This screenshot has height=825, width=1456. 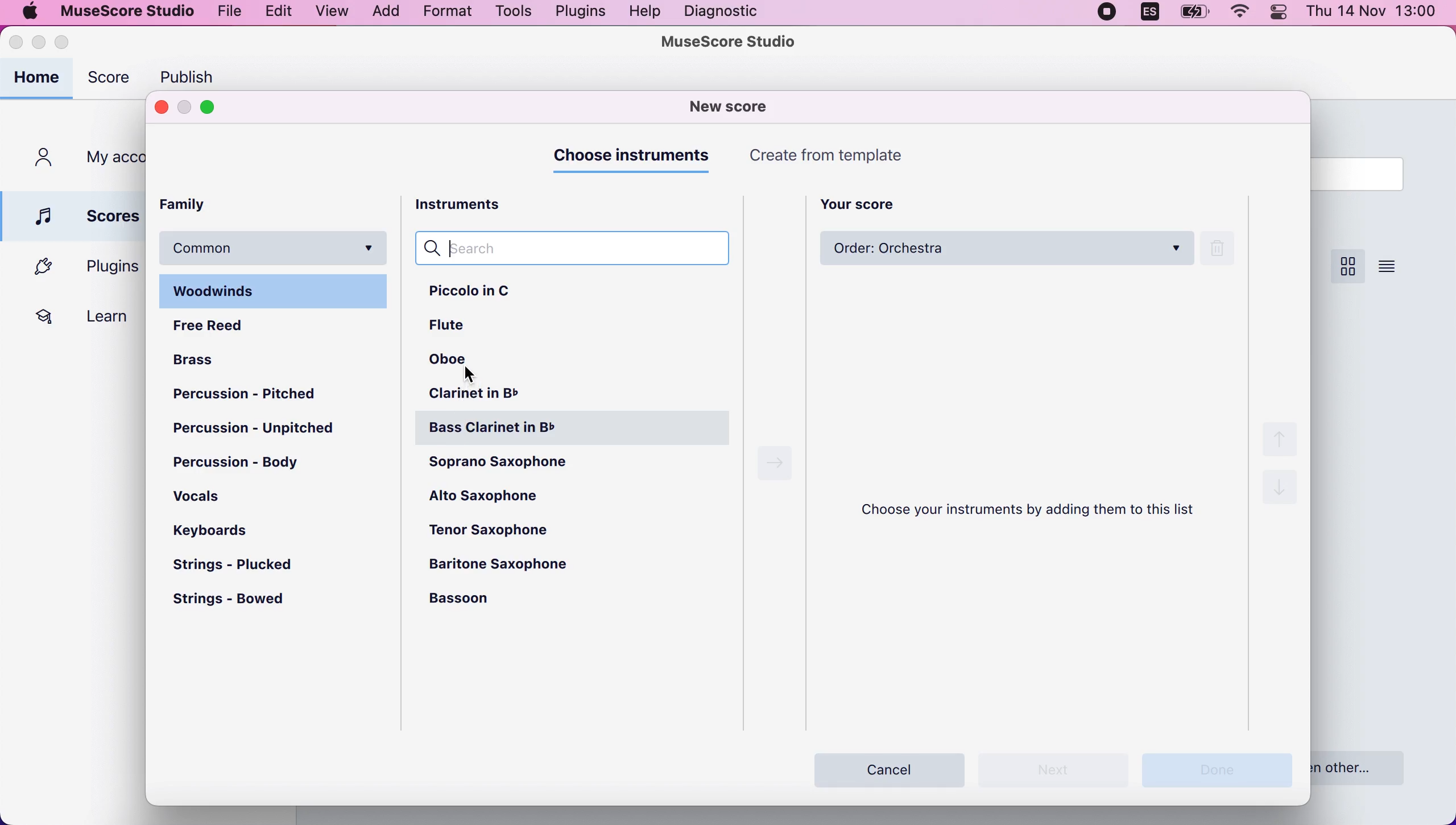 I want to click on musescore studio, so click(x=123, y=11).